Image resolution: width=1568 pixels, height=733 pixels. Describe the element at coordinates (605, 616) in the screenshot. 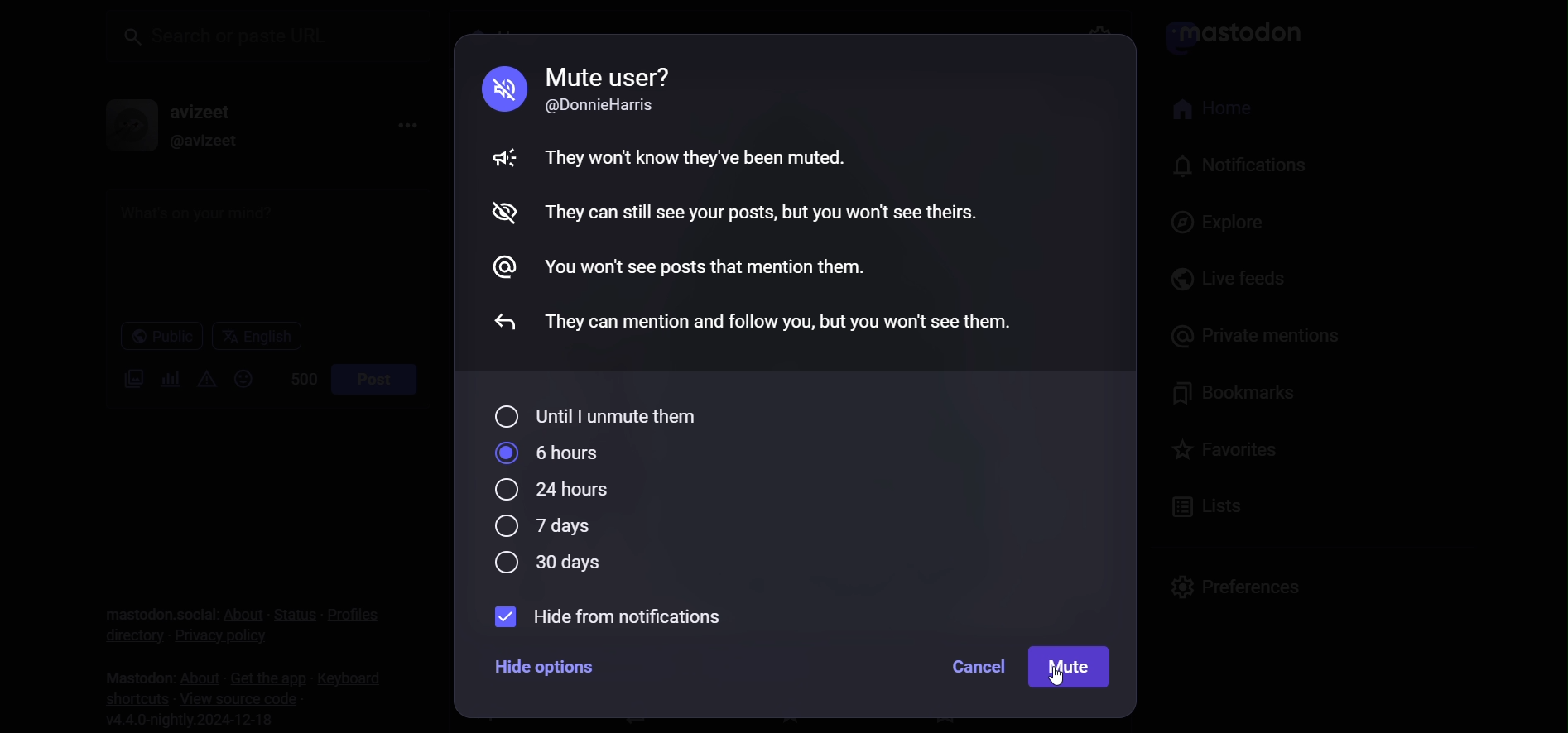

I see `hide from notification` at that location.